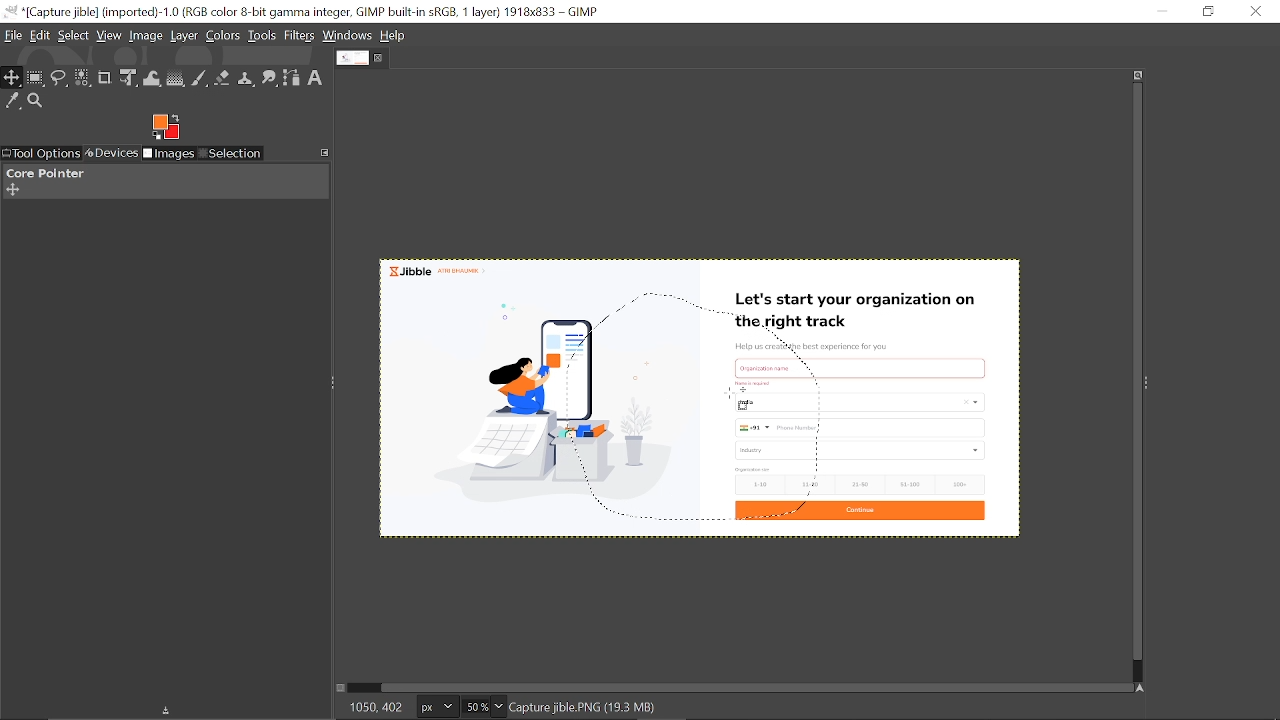 The width and height of the screenshot is (1280, 720). What do you see at coordinates (326, 151) in the screenshot?
I see `Configure this tab` at bounding box center [326, 151].